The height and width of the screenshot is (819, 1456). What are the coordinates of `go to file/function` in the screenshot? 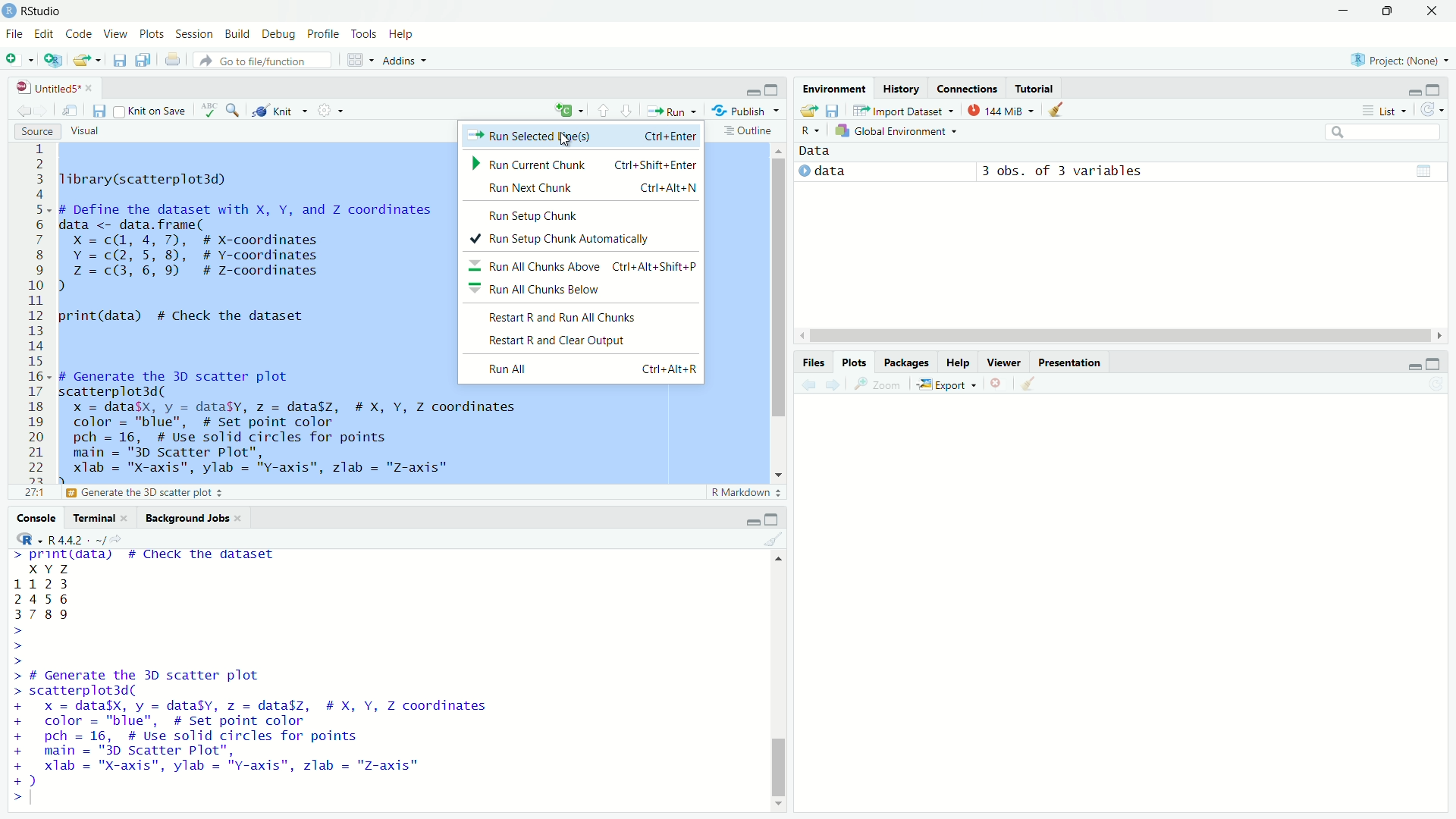 It's located at (266, 60).